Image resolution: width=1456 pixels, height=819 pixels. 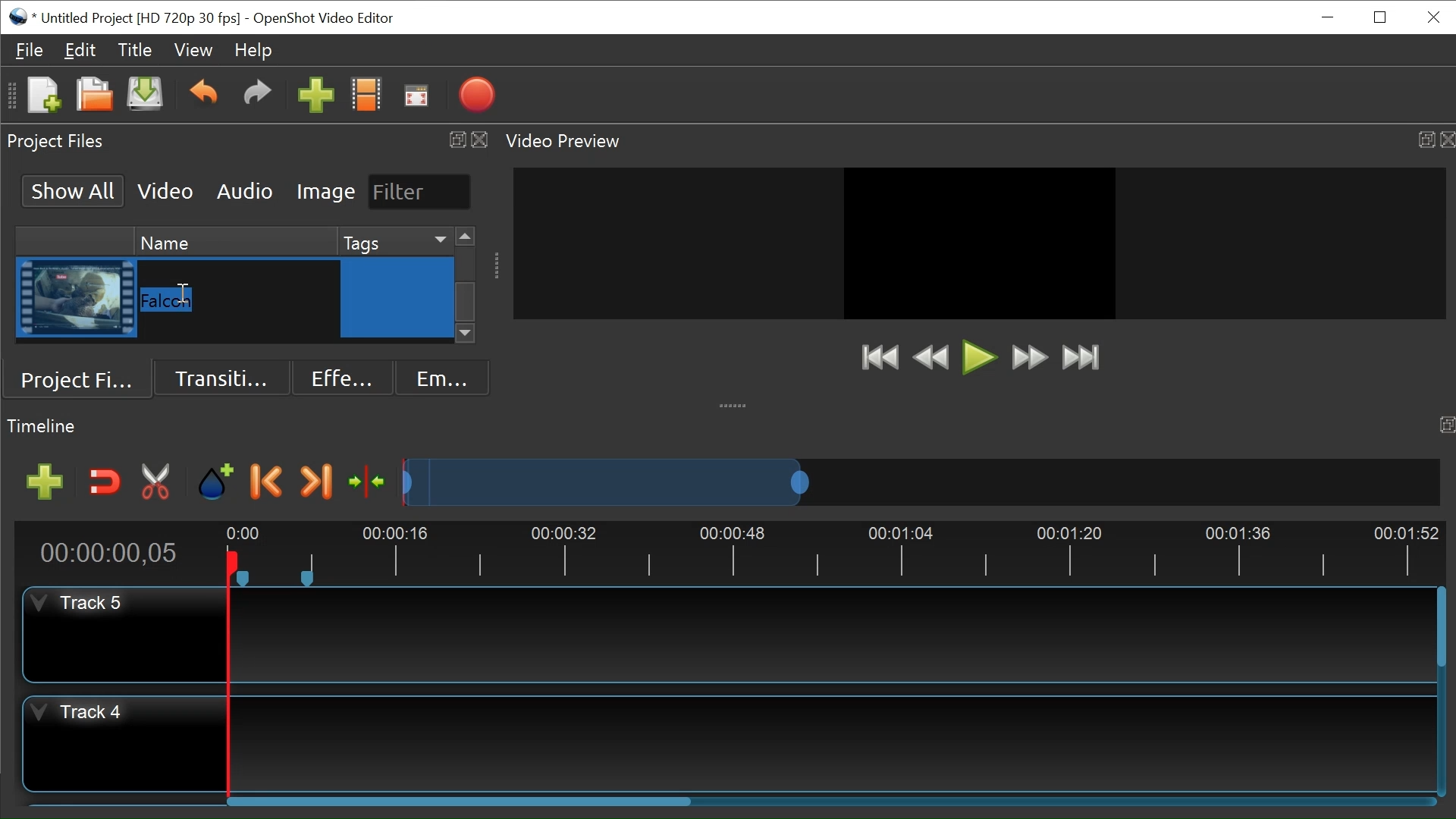 What do you see at coordinates (836, 551) in the screenshot?
I see `Timeline` at bounding box center [836, 551].